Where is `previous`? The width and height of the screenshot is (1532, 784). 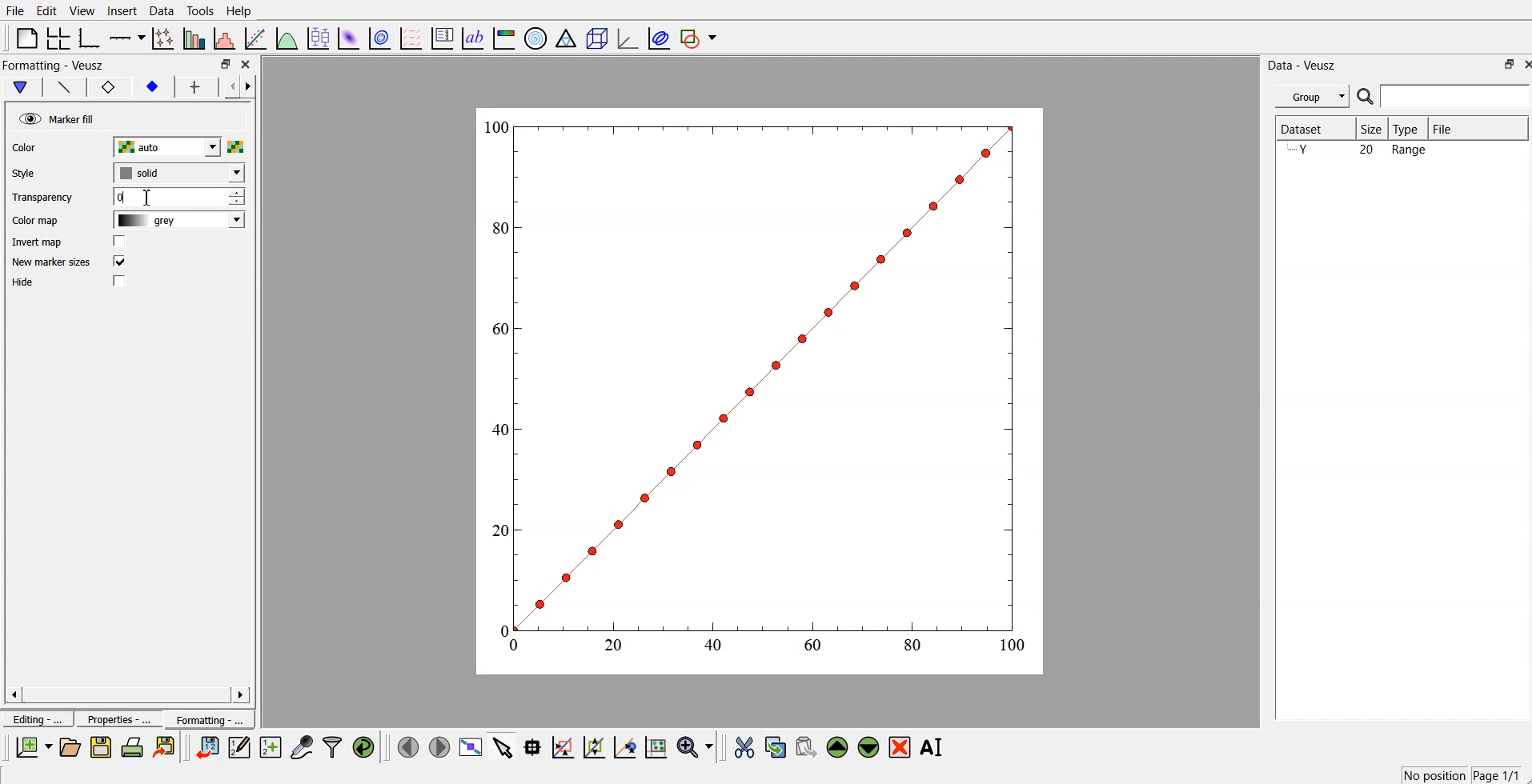 previous is located at coordinates (226, 89).